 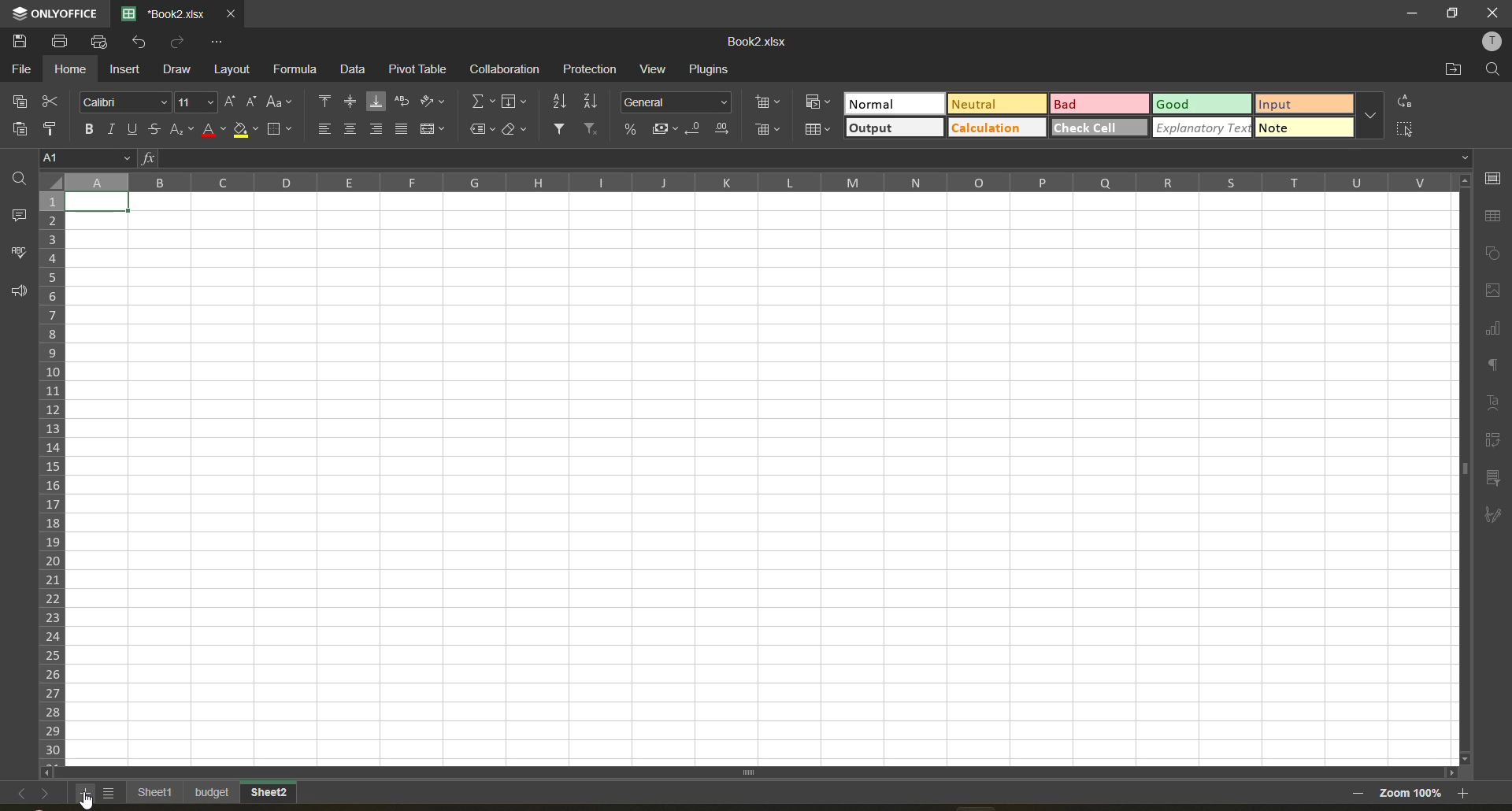 I want to click on decrement size, so click(x=252, y=102).